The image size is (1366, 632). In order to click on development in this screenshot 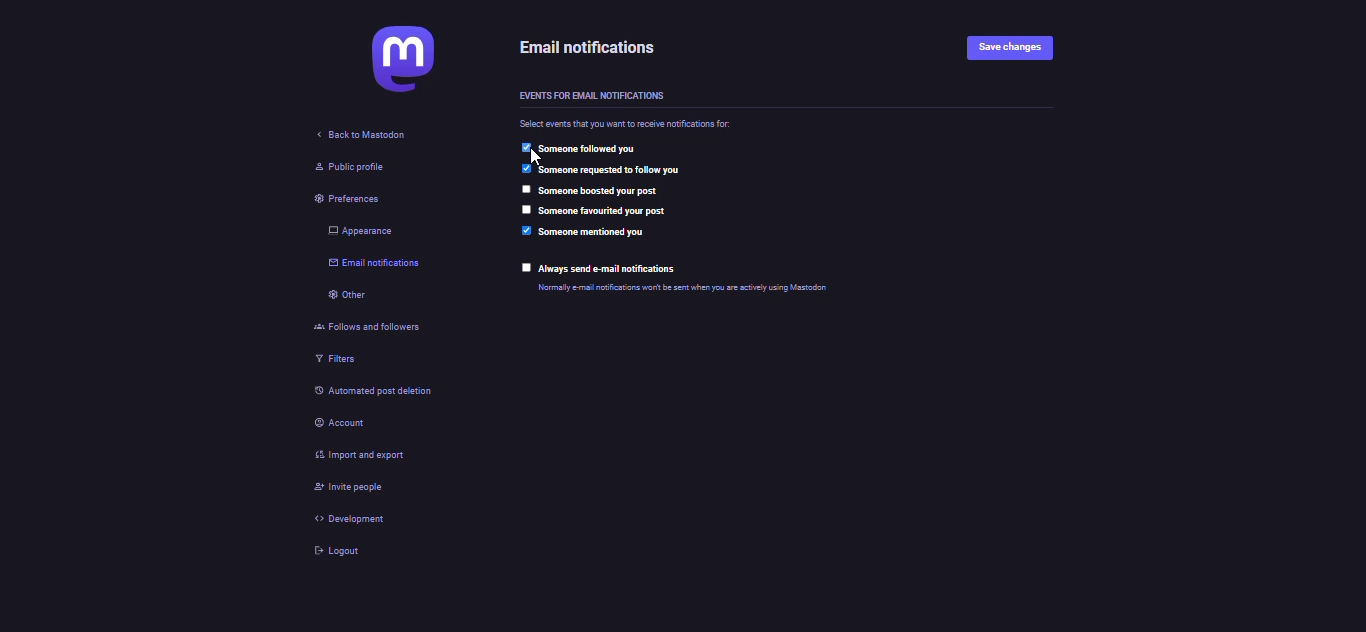, I will do `click(347, 519)`.